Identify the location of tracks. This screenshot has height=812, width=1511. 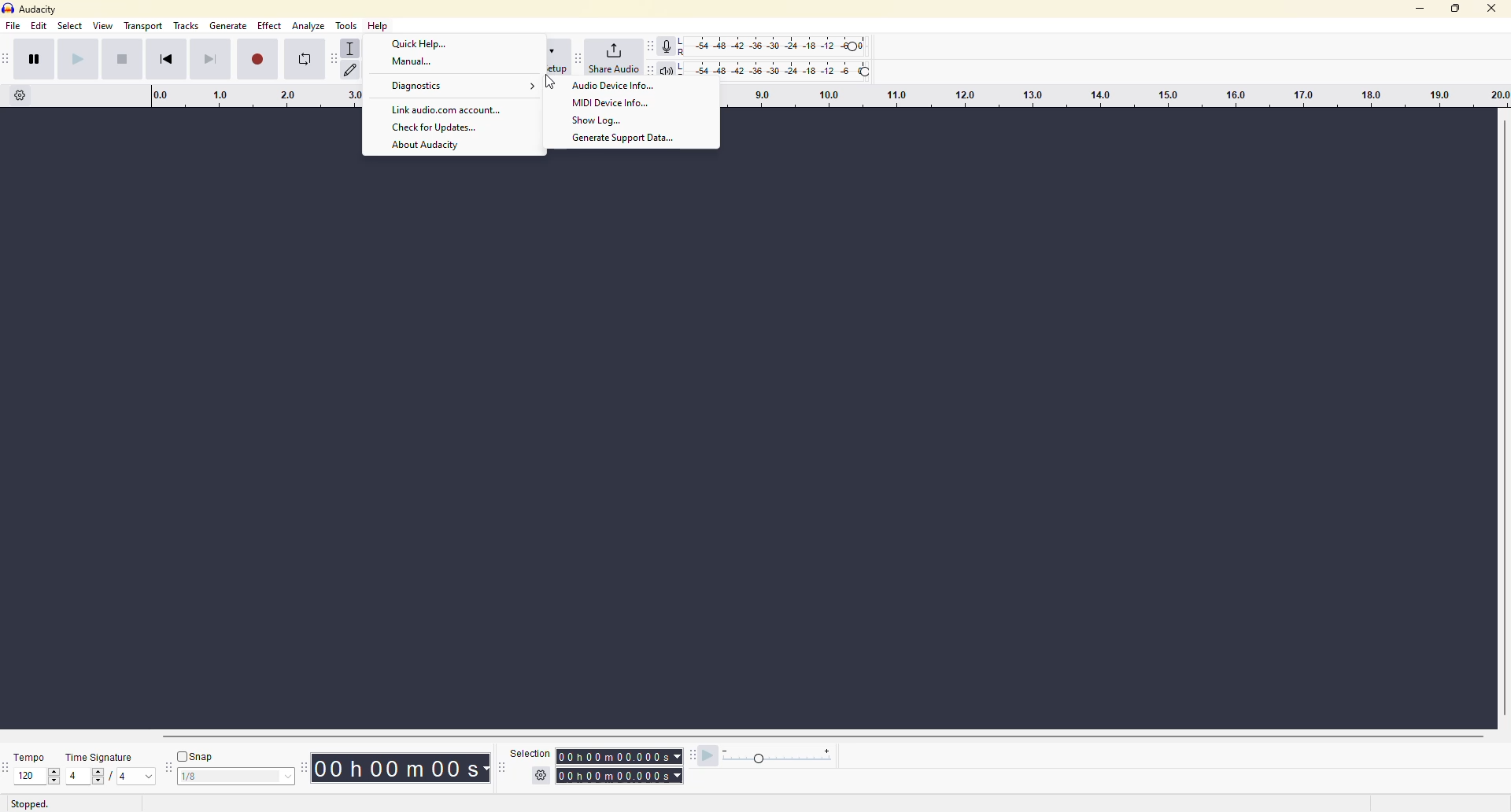
(187, 28).